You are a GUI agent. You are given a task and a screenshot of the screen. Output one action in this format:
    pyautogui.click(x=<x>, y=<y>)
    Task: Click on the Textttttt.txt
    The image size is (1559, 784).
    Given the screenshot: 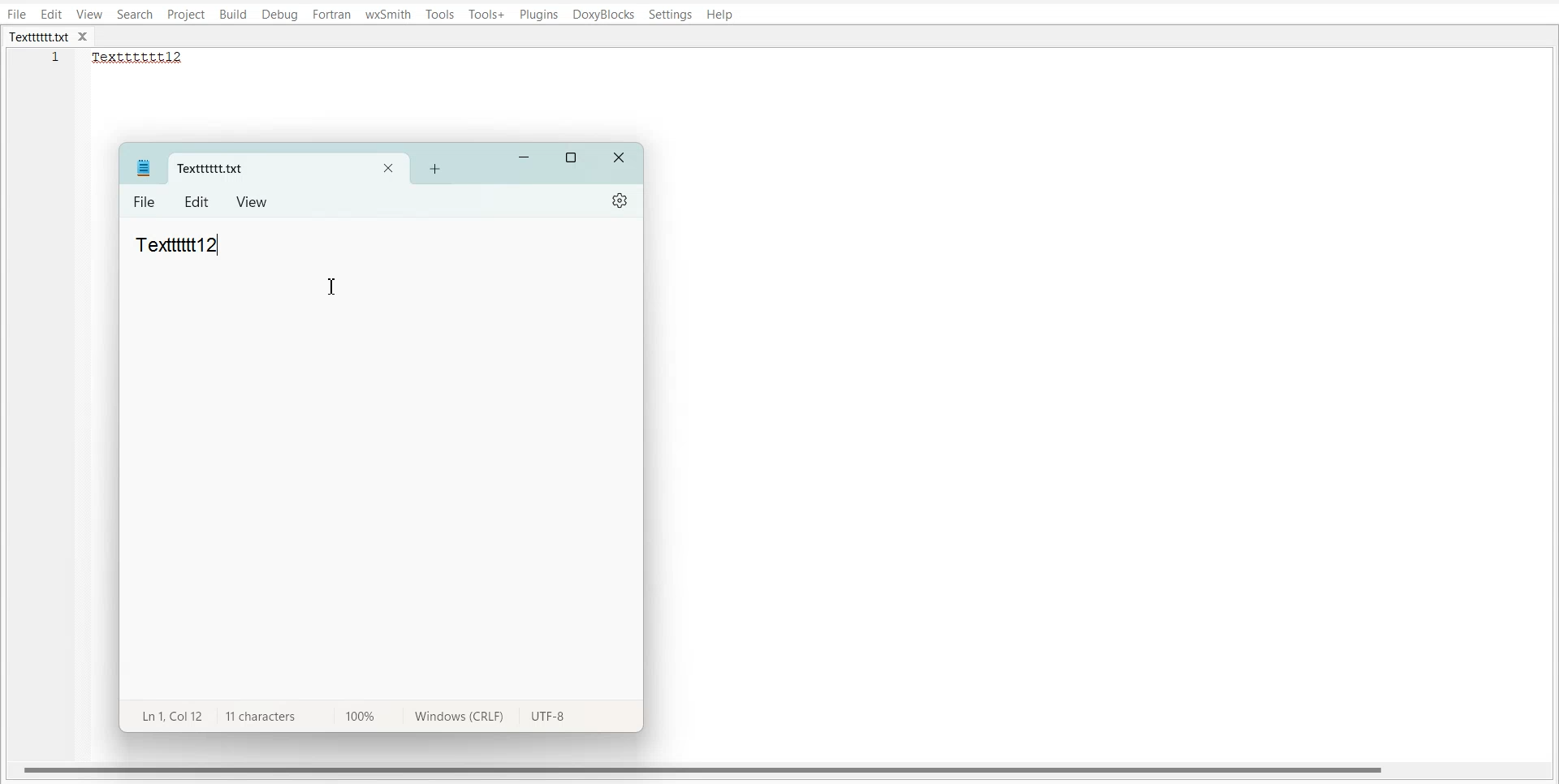 What is the action you would take?
    pyautogui.click(x=39, y=37)
    